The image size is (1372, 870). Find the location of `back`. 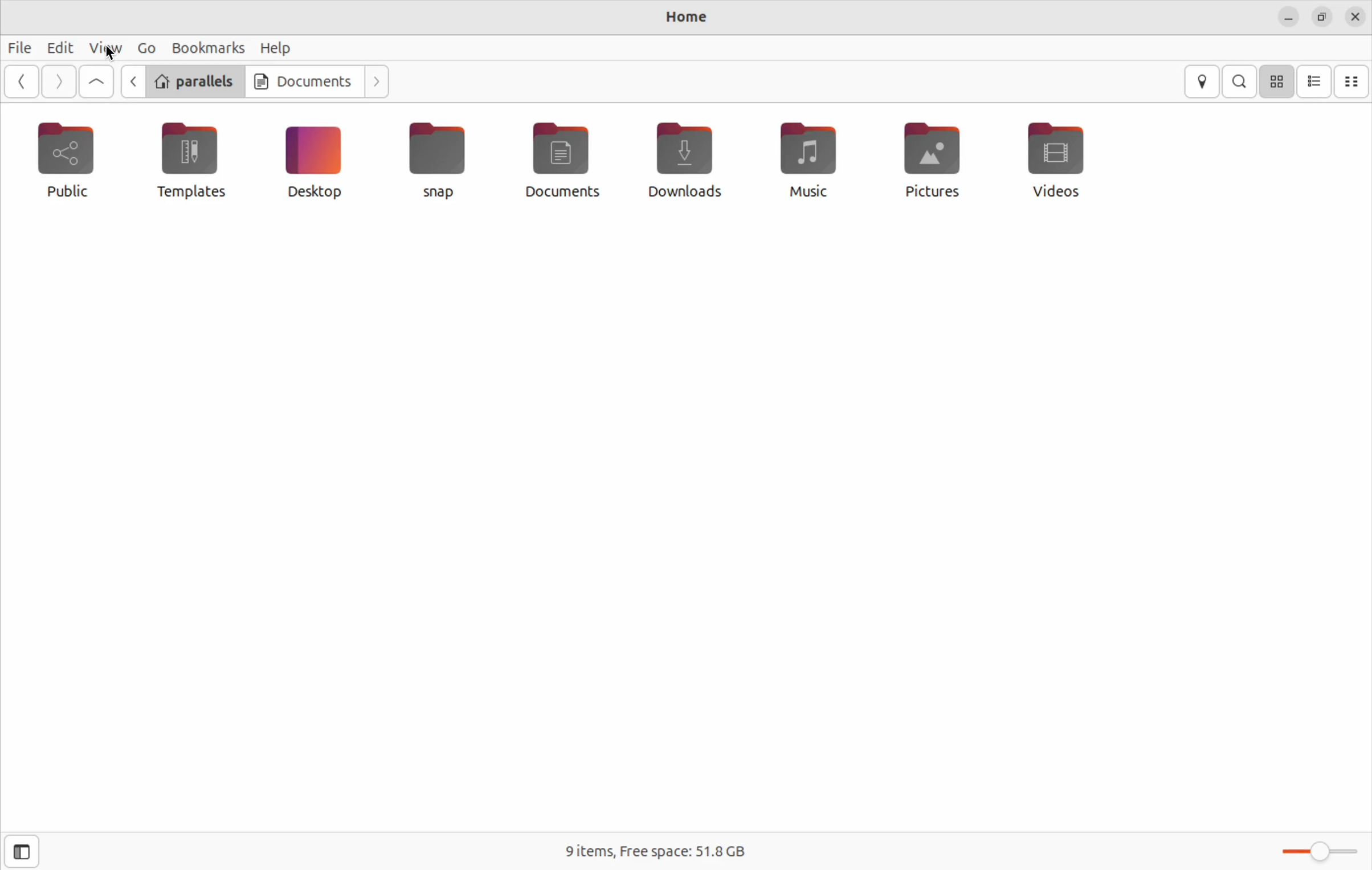

back is located at coordinates (22, 83).